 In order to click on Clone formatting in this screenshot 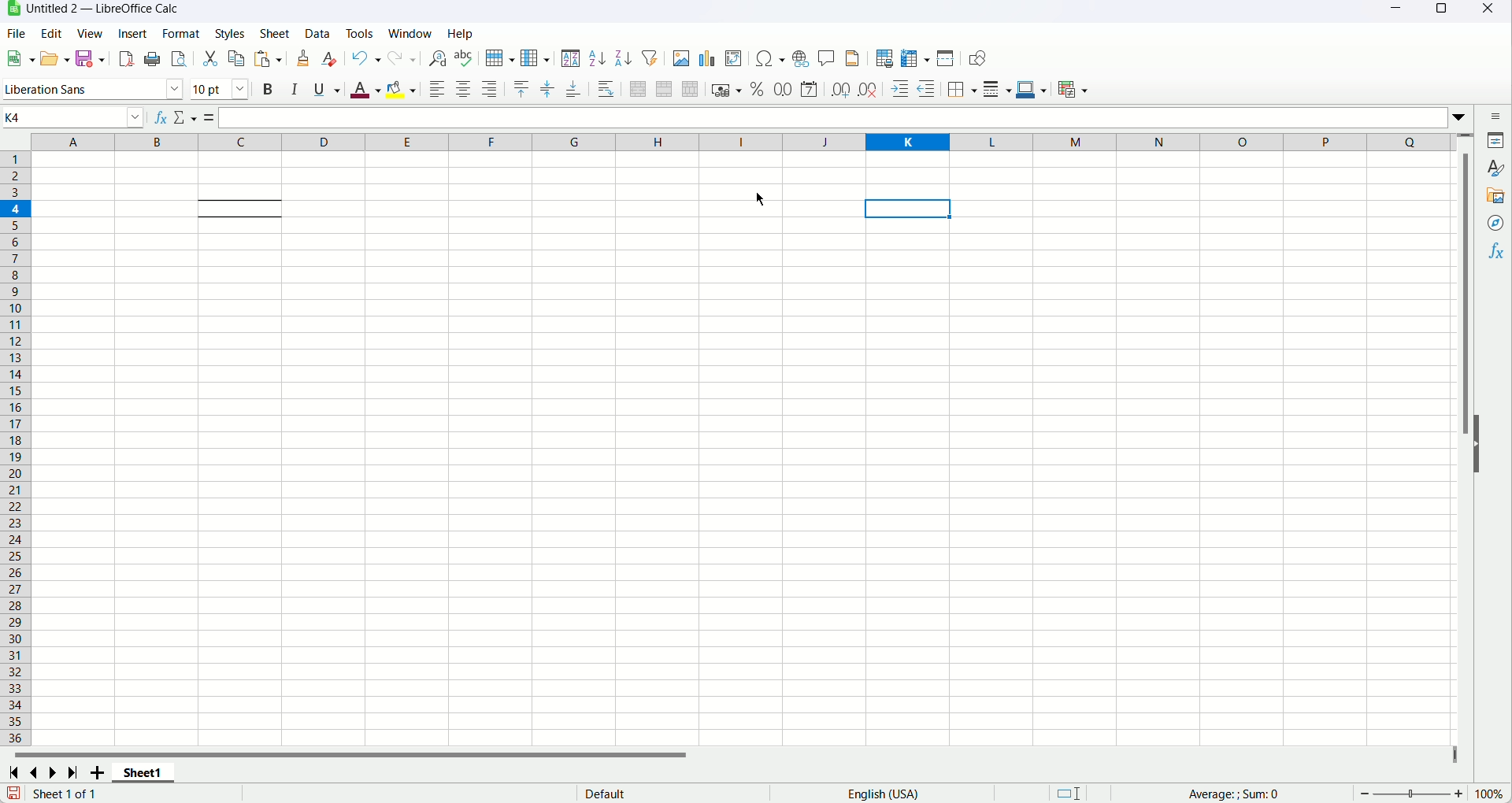, I will do `click(302, 58)`.